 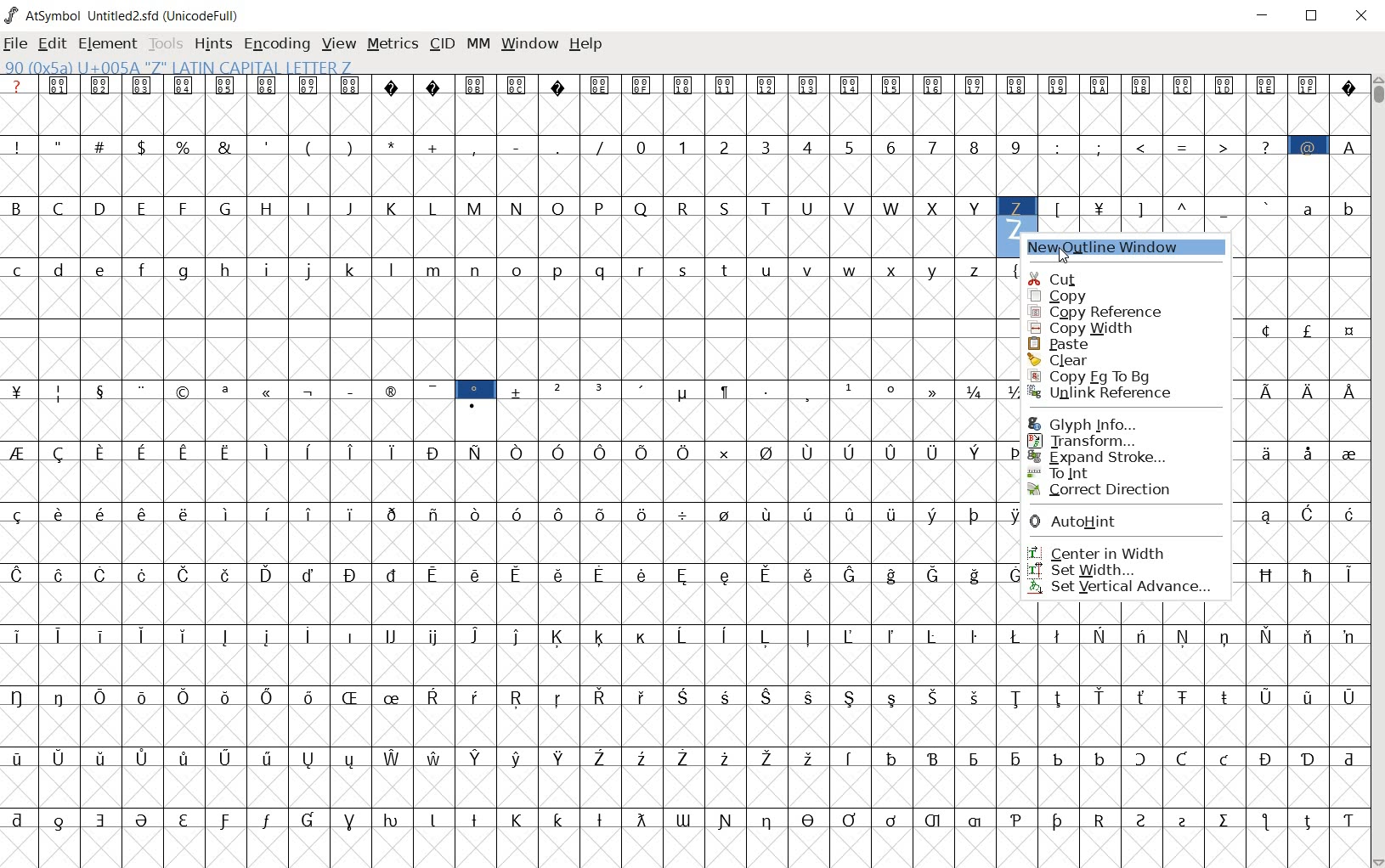 I want to click on cut, so click(x=1084, y=277).